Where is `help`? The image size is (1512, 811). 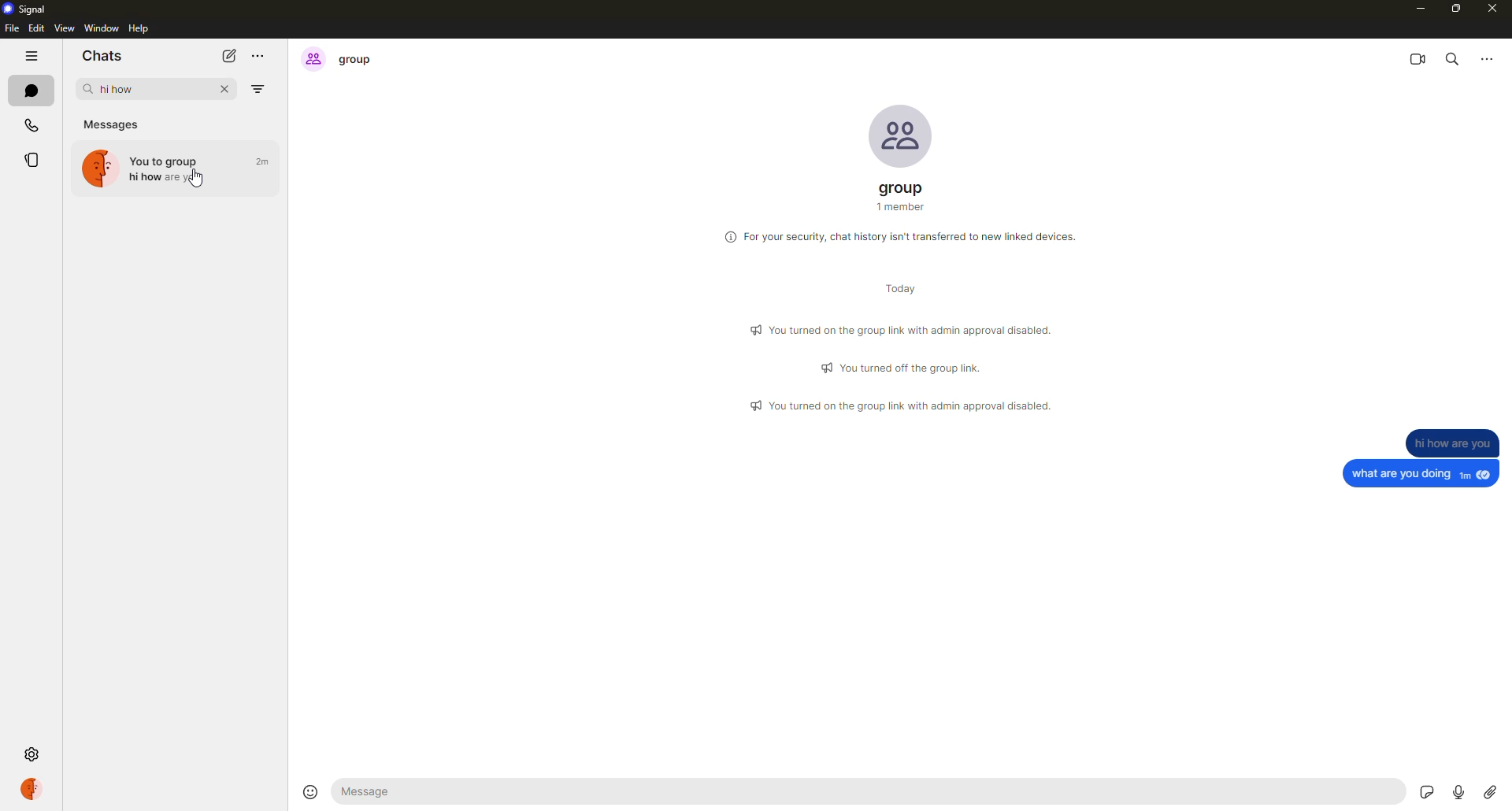 help is located at coordinates (139, 28).